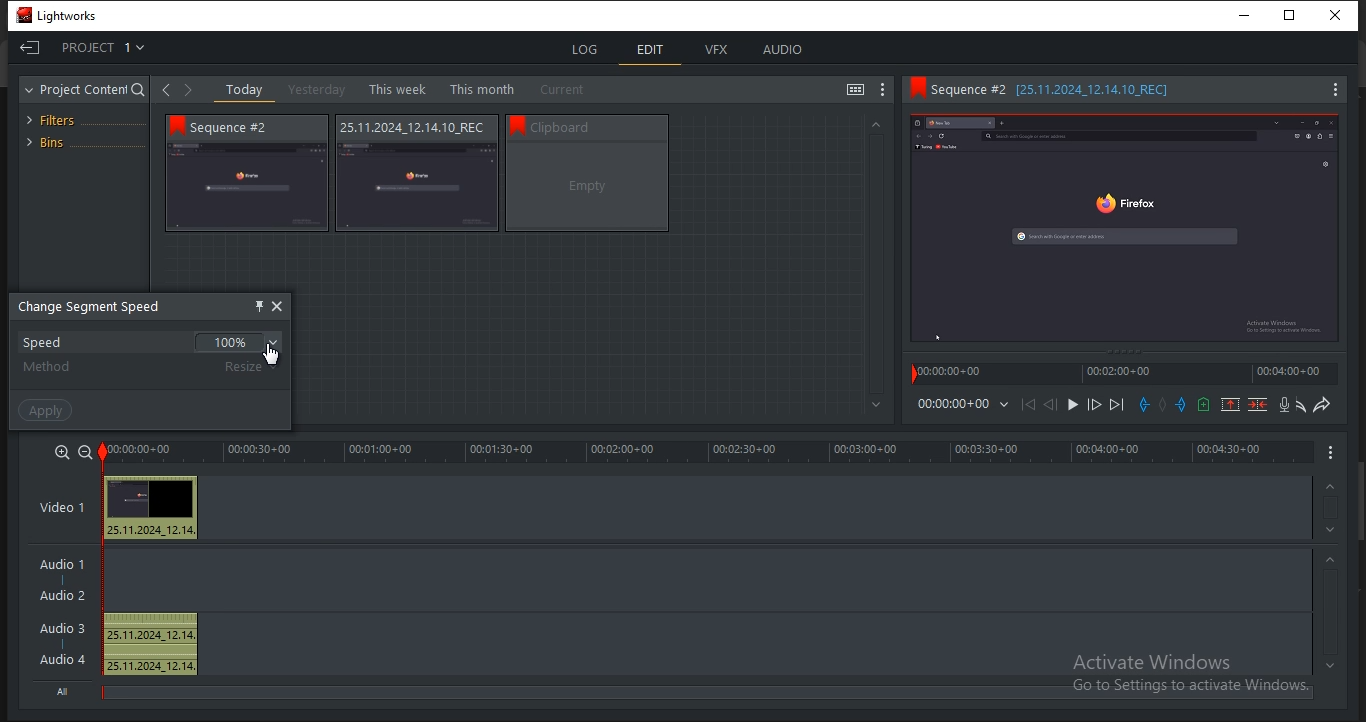 This screenshot has height=722, width=1366. I want to click on Restore, so click(1295, 13).